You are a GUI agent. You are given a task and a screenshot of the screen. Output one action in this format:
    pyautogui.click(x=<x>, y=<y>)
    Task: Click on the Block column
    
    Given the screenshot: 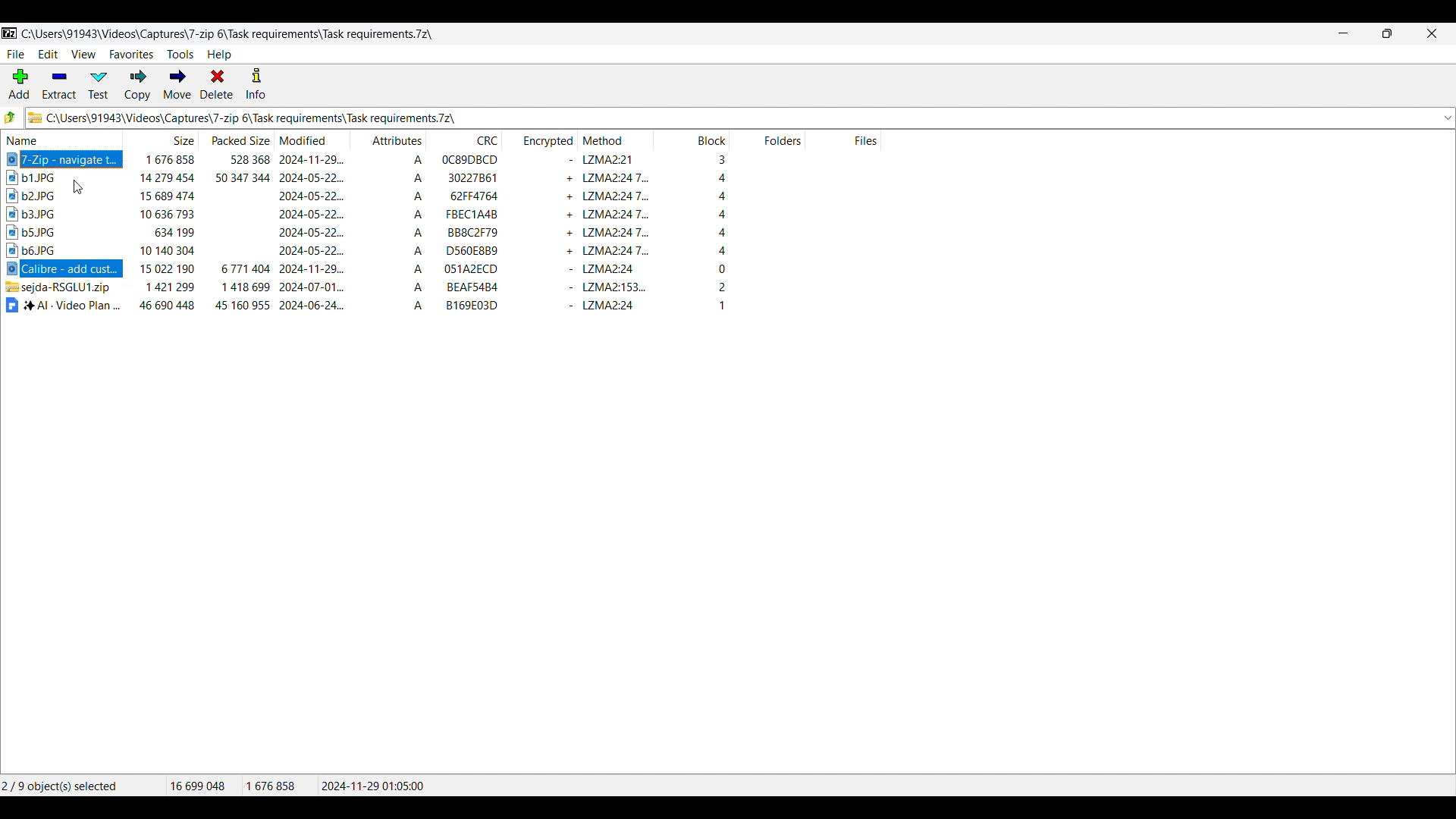 What is the action you would take?
    pyautogui.click(x=693, y=139)
    